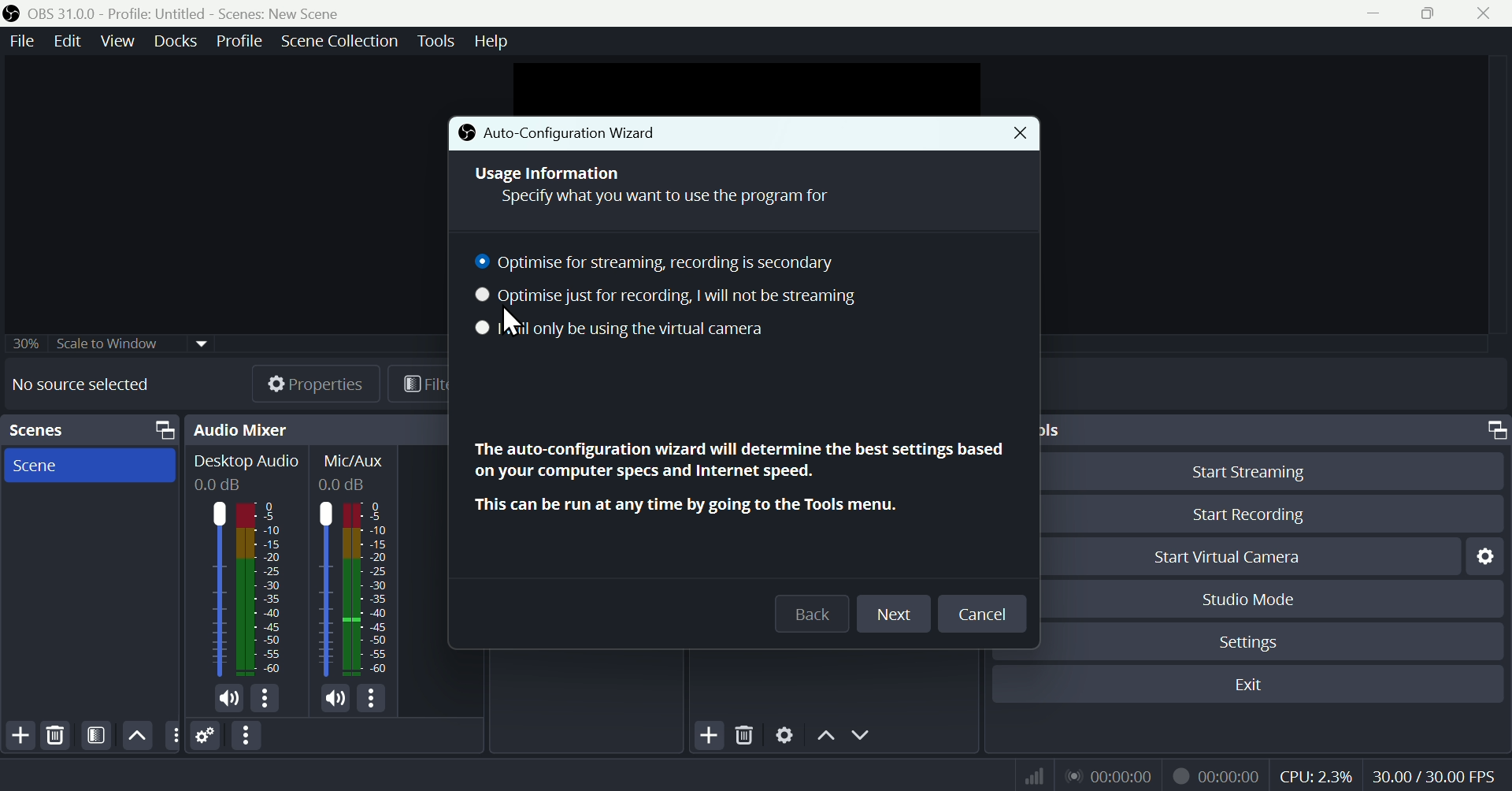  What do you see at coordinates (653, 184) in the screenshot?
I see `Usage Information
Specify what you want to use the program for` at bounding box center [653, 184].